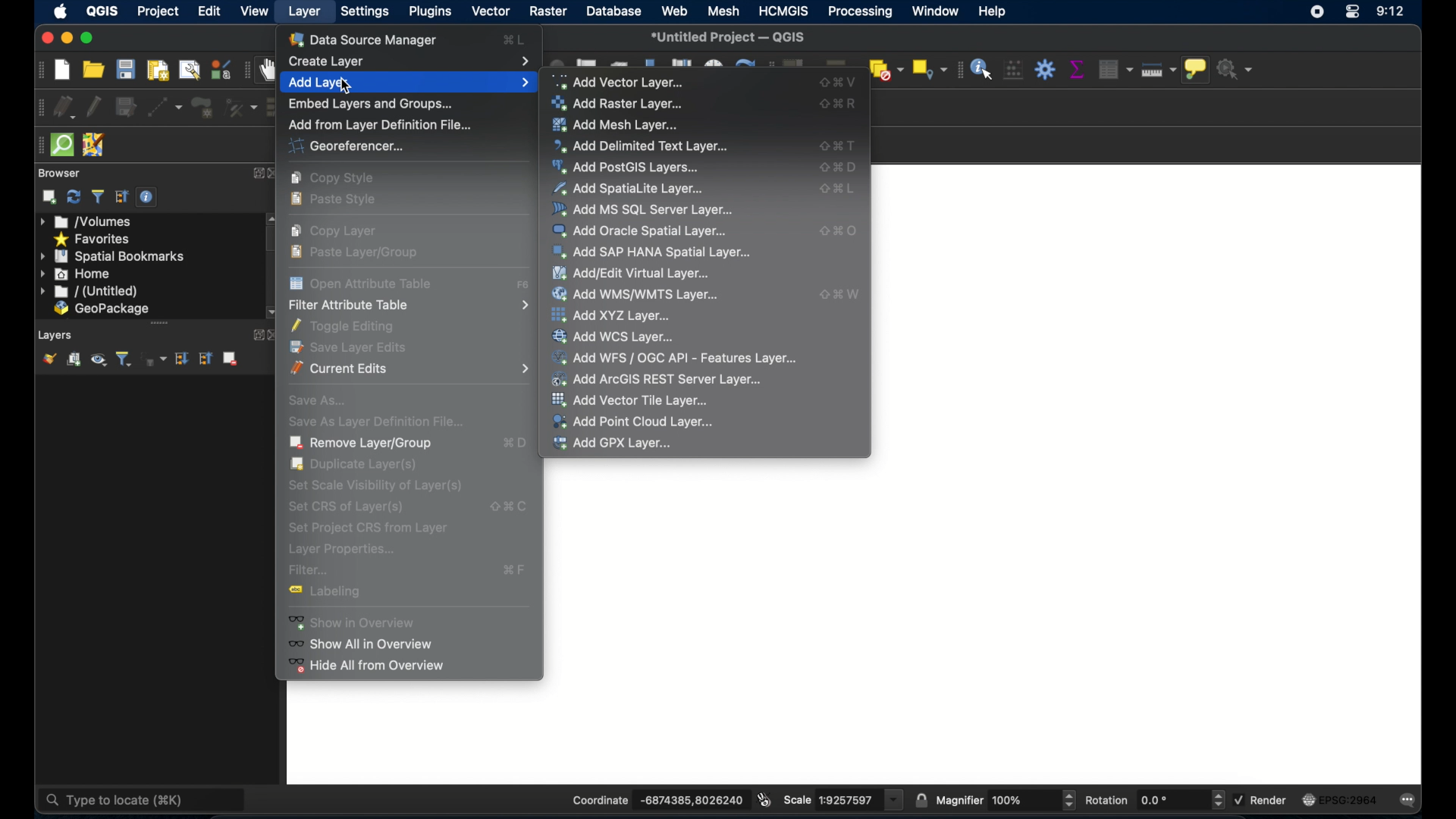 Image resolution: width=1456 pixels, height=819 pixels. I want to click on identify feature, so click(981, 69).